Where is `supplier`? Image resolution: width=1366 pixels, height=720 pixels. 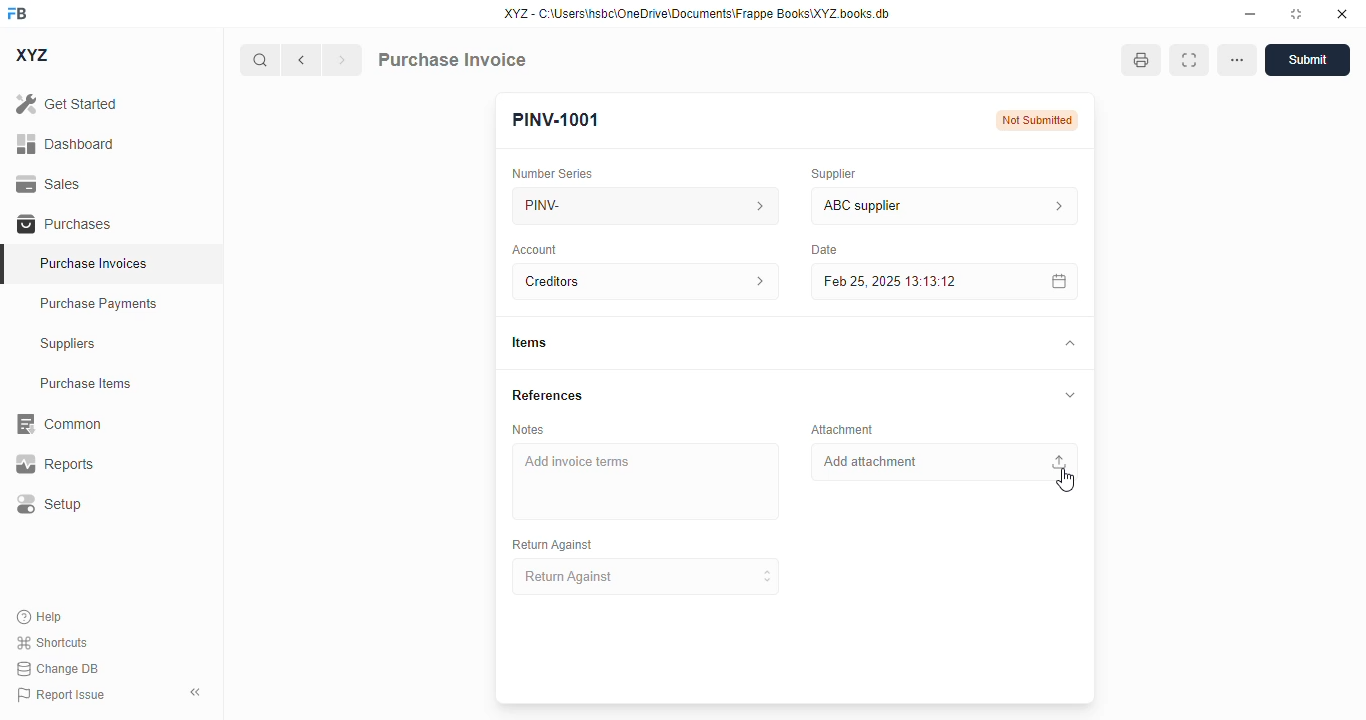
supplier is located at coordinates (829, 173).